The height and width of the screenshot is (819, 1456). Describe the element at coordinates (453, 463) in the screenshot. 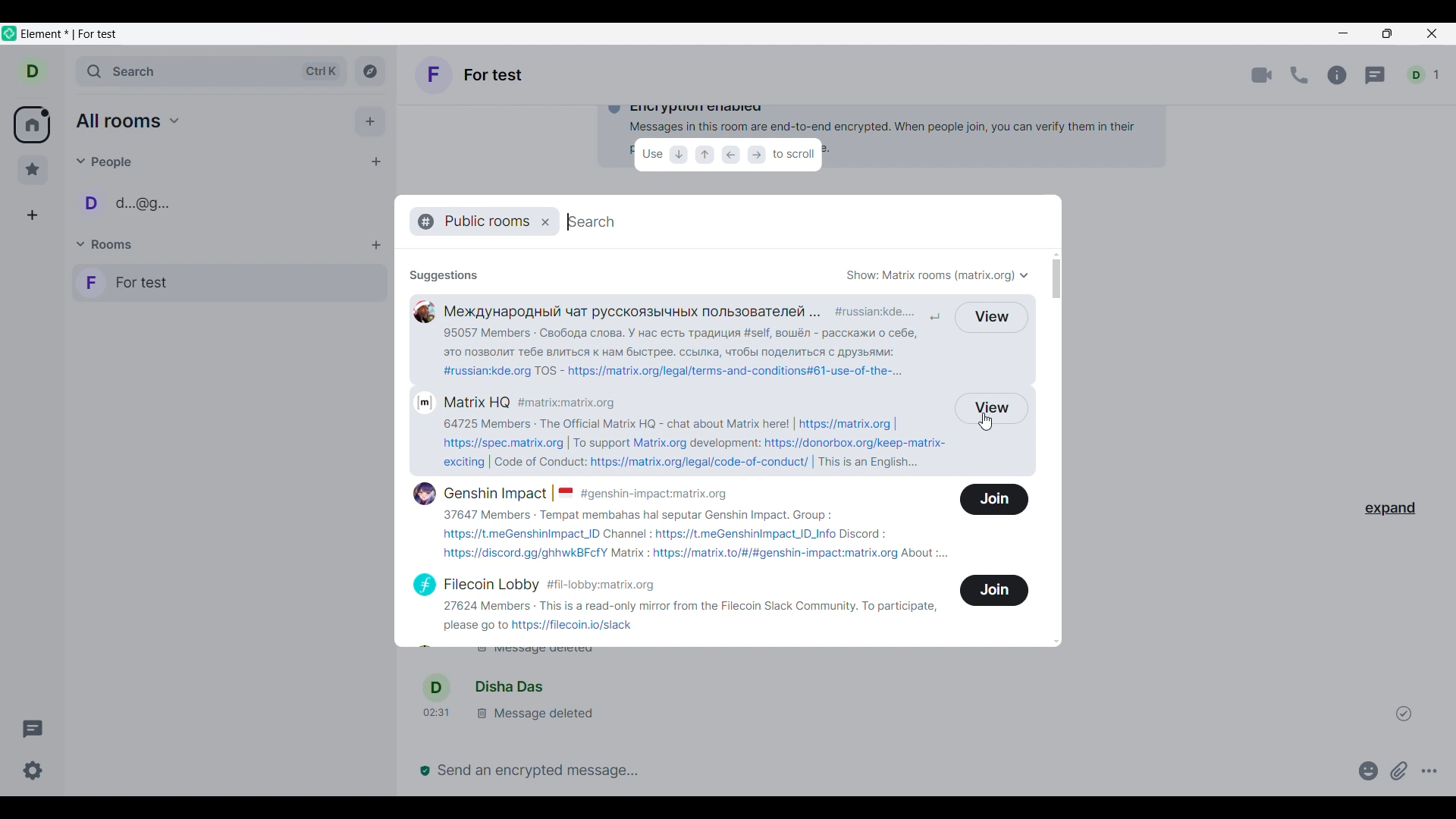

I see `exciting` at that location.